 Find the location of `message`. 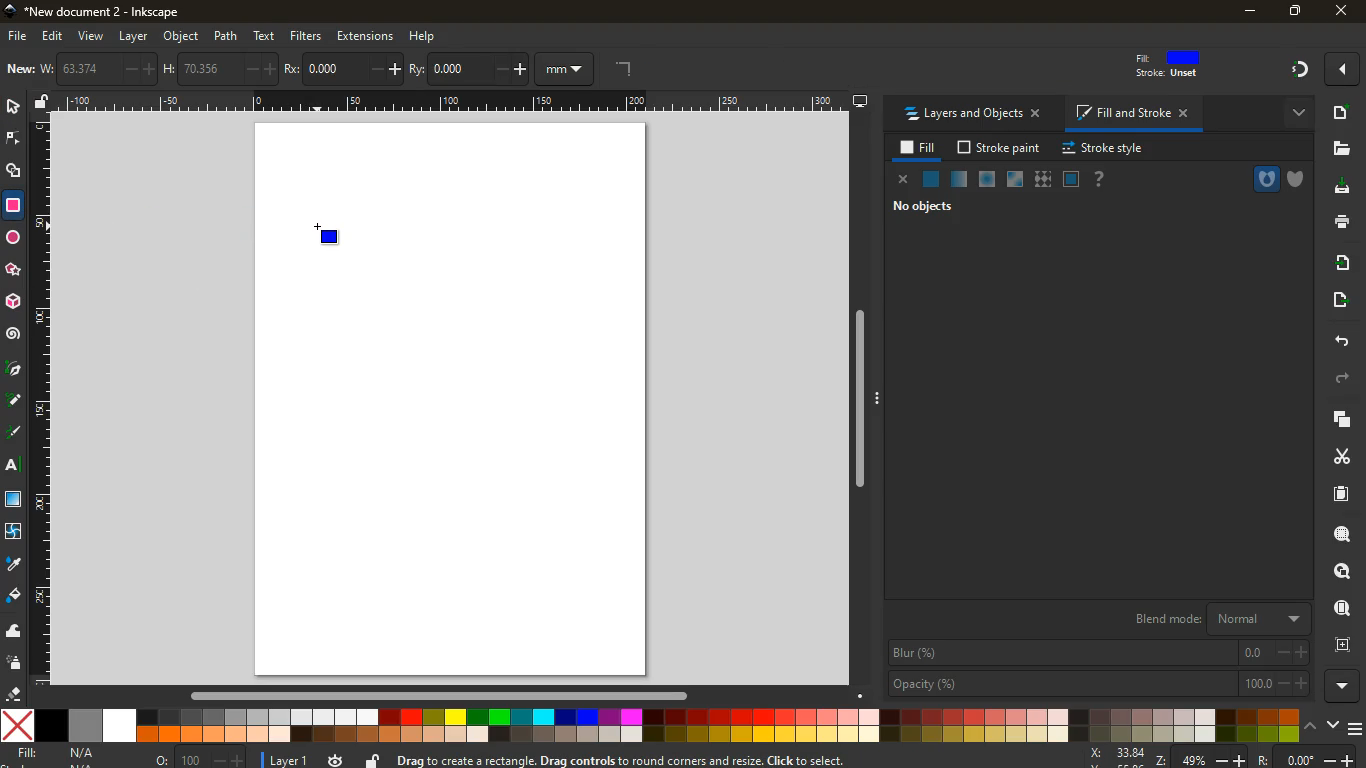

message is located at coordinates (708, 759).